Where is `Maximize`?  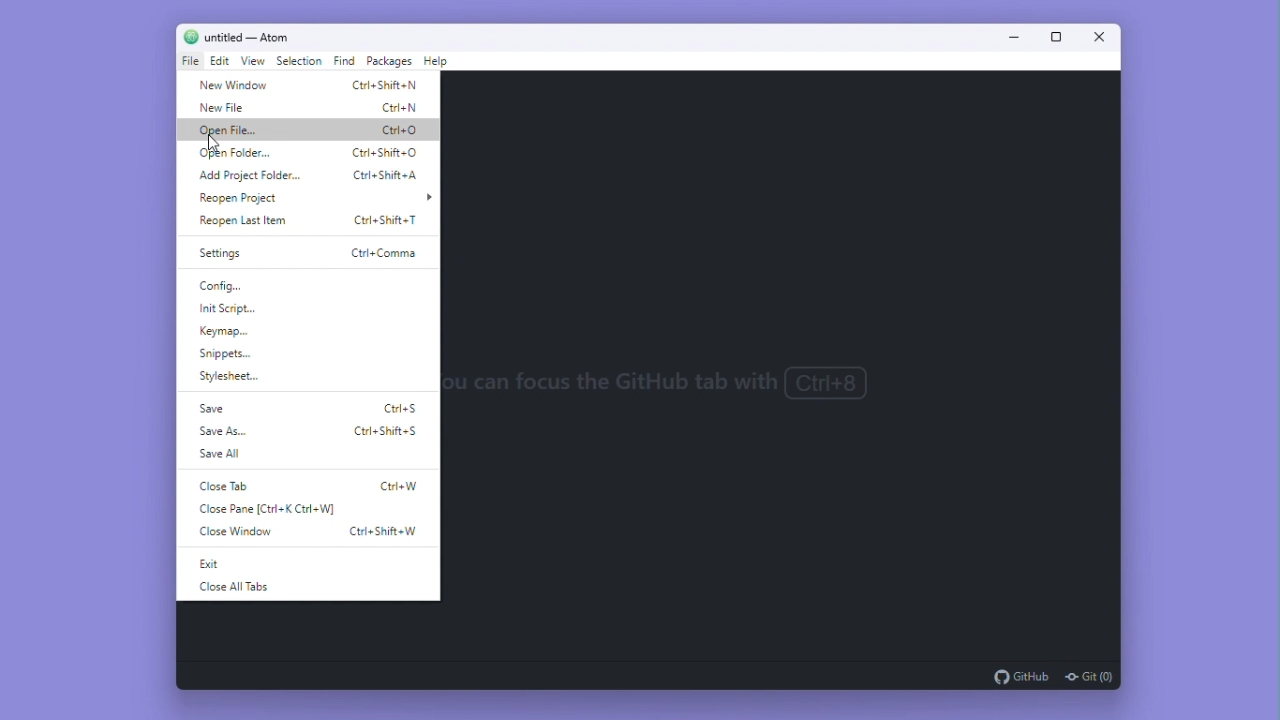 Maximize is located at coordinates (1050, 37).